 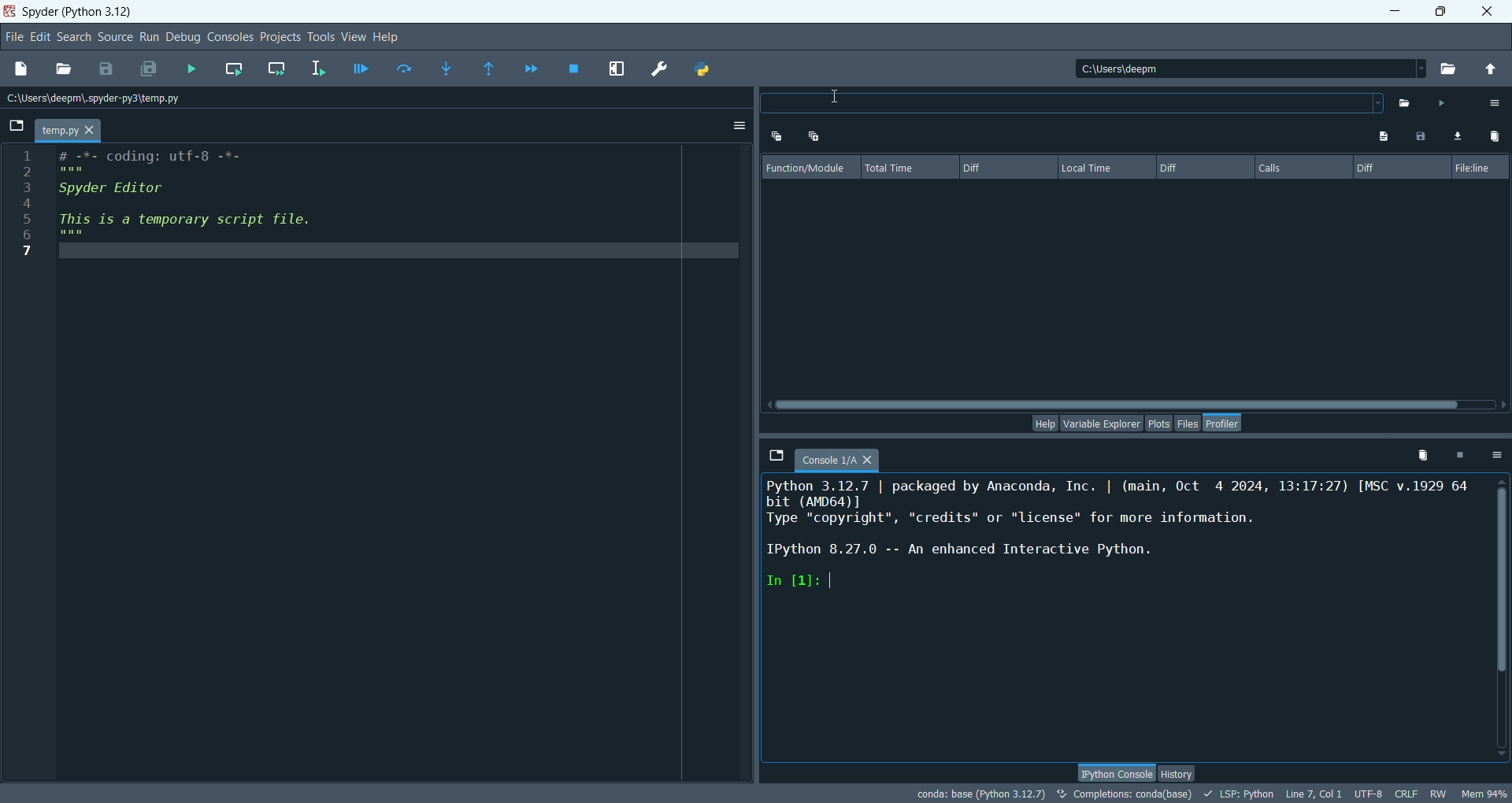 What do you see at coordinates (1306, 167) in the screenshot?
I see `calls` at bounding box center [1306, 167].